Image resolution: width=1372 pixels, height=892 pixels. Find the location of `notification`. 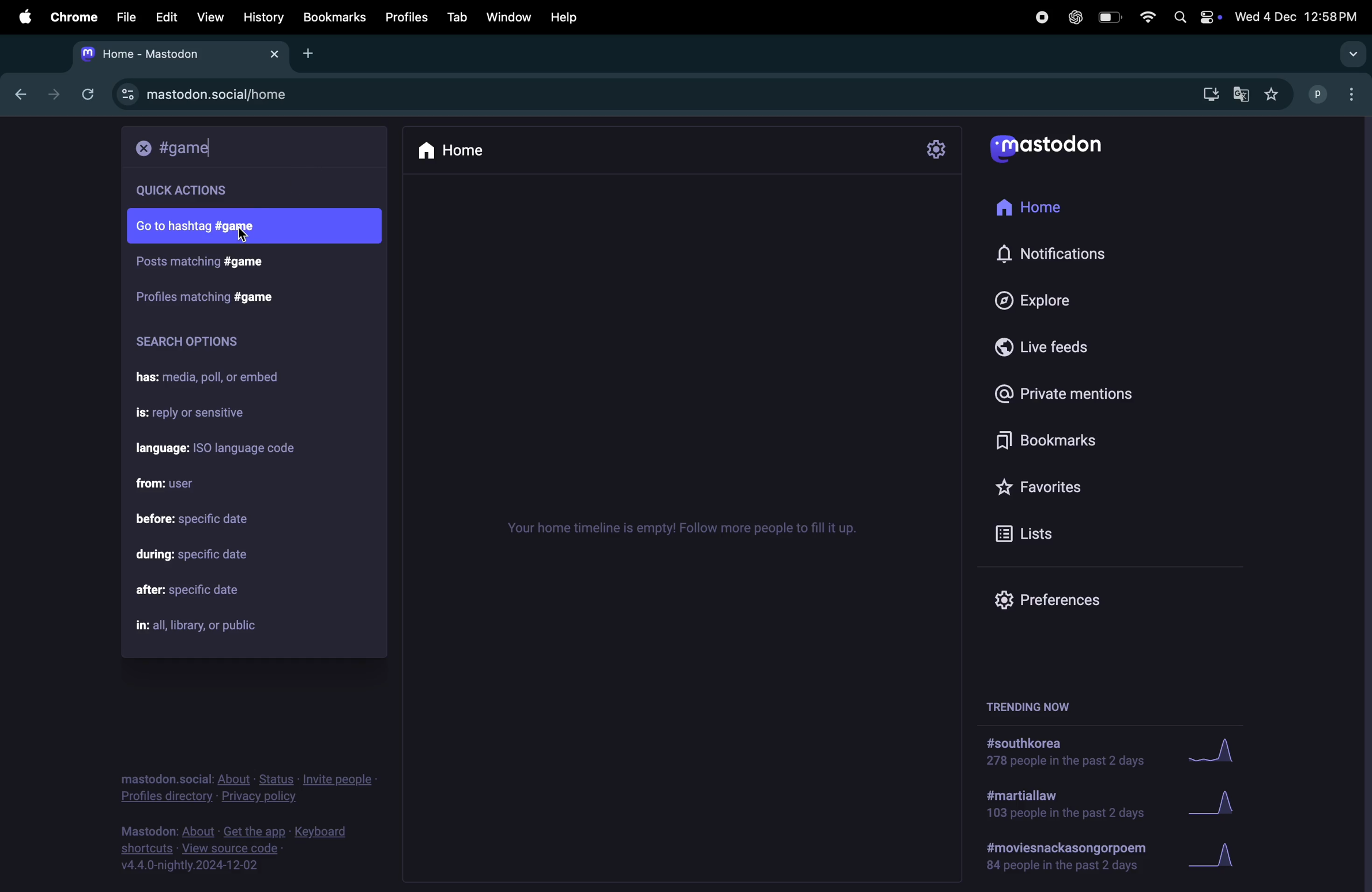

notification is located at coordinates (1053, 255).